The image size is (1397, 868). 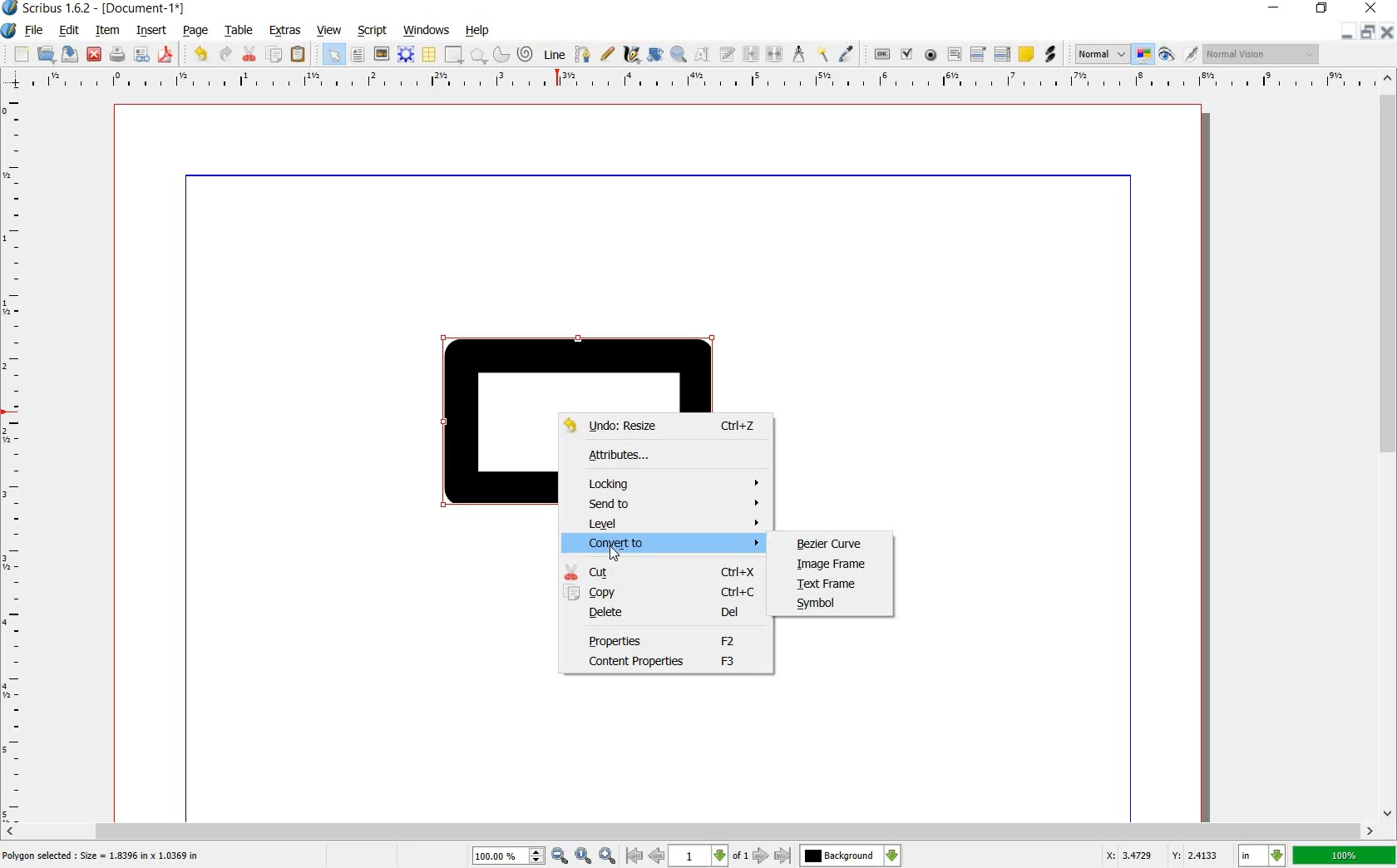 What do you see at coordinates (829, 565) in the screenshot?
I see `IMAGE FRAME` at bounding box center [829, 565].